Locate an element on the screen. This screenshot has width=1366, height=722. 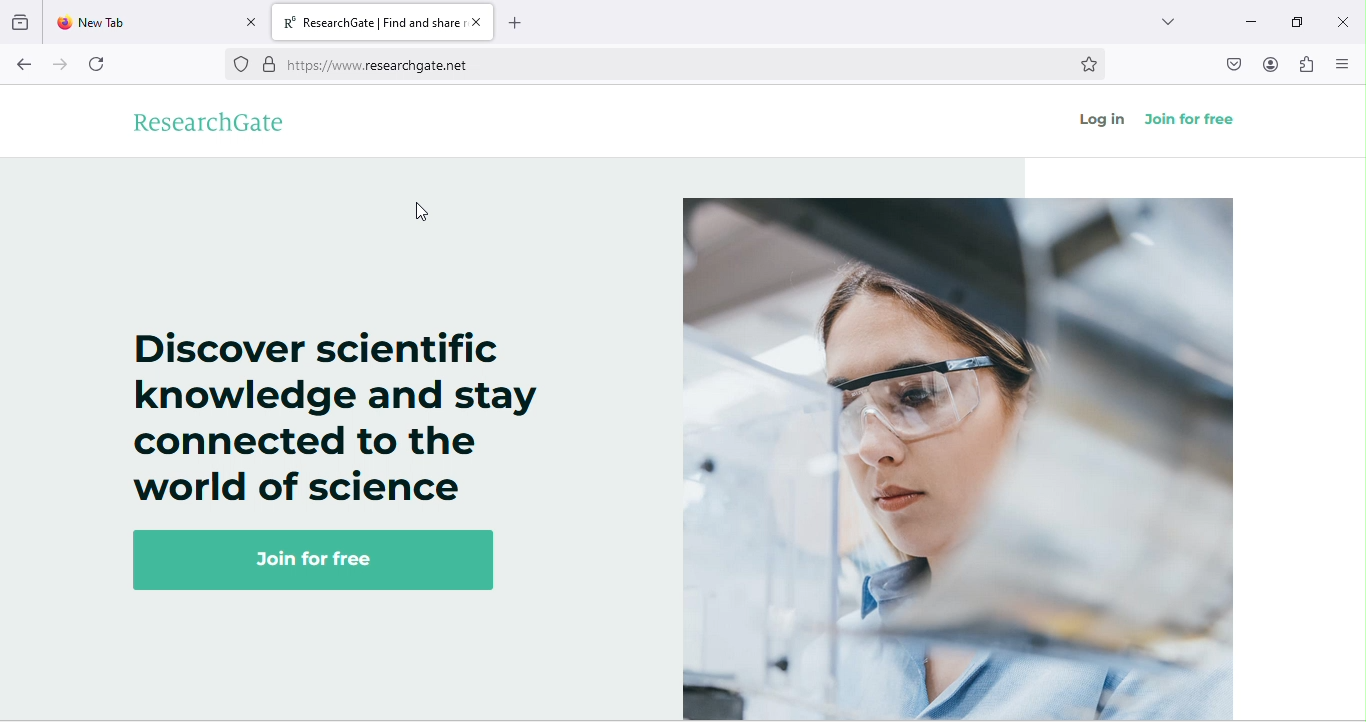
Discover scientific knowledge and stay connected to the world of science is located at coordinates (323, 416).